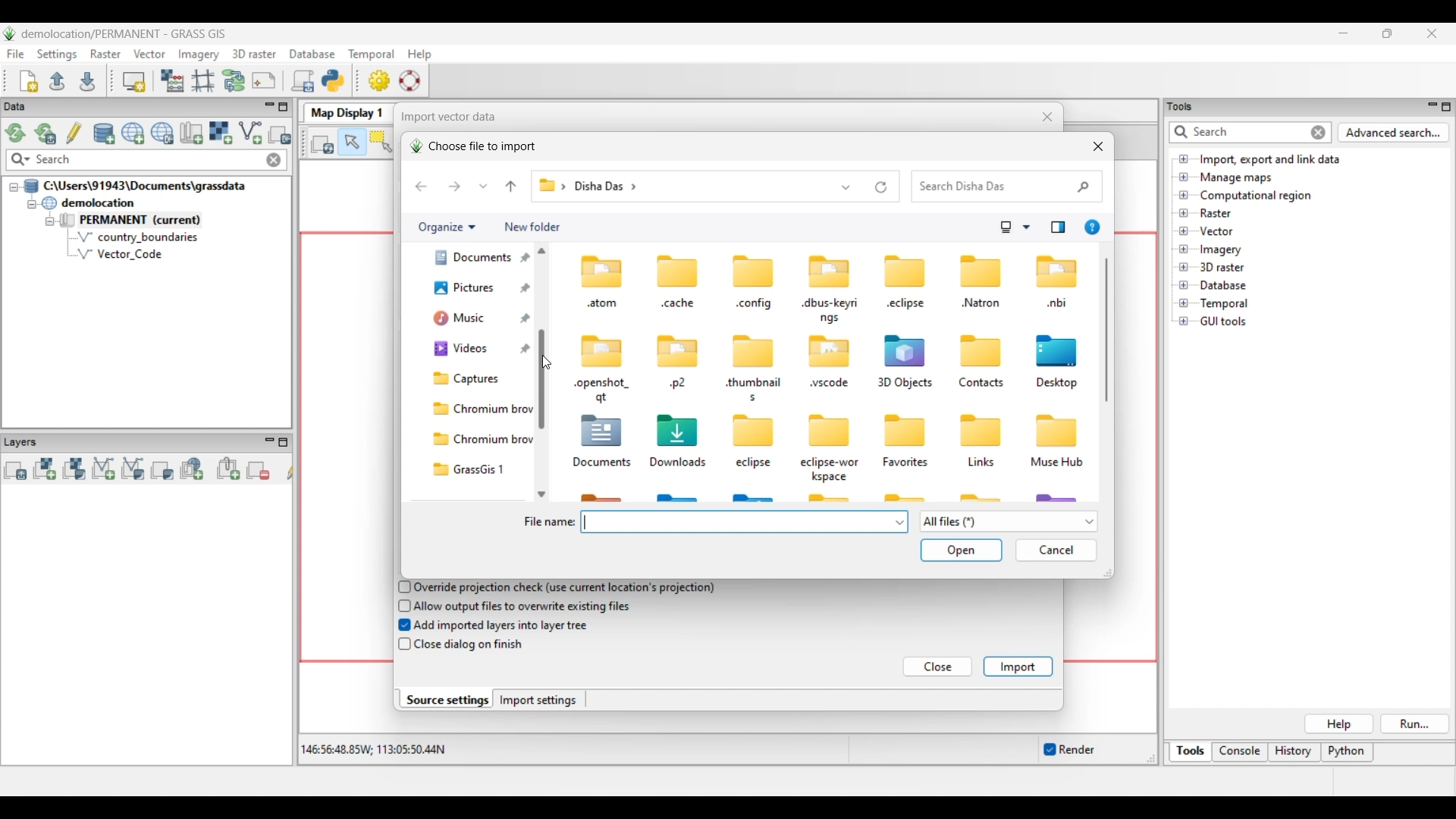 This screenshot has height=819, width=1456. Describe the element at coordinates (1056, 551) in the screenshot. I see `Cancel inputs` at that location.